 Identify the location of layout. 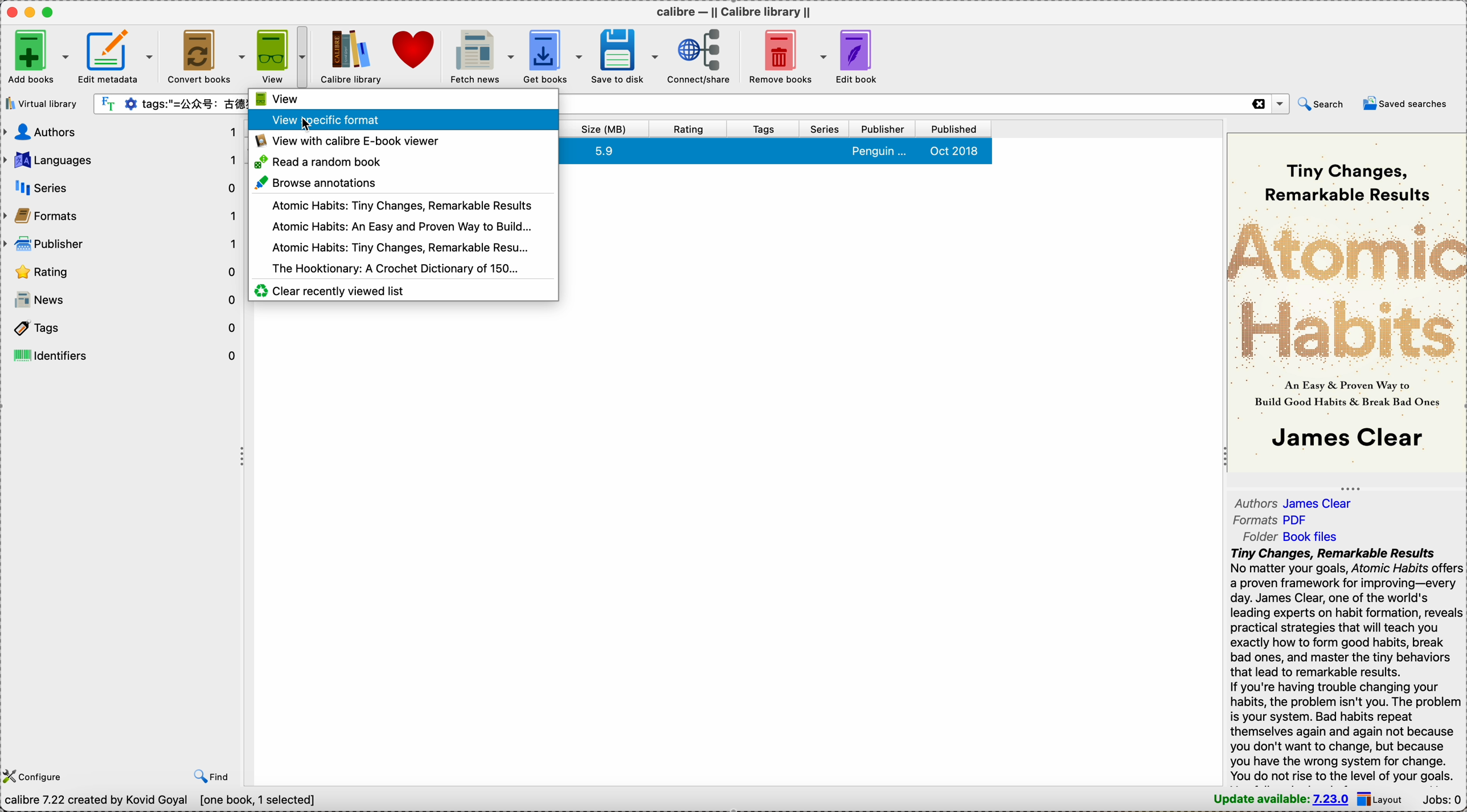
(1382, 798).